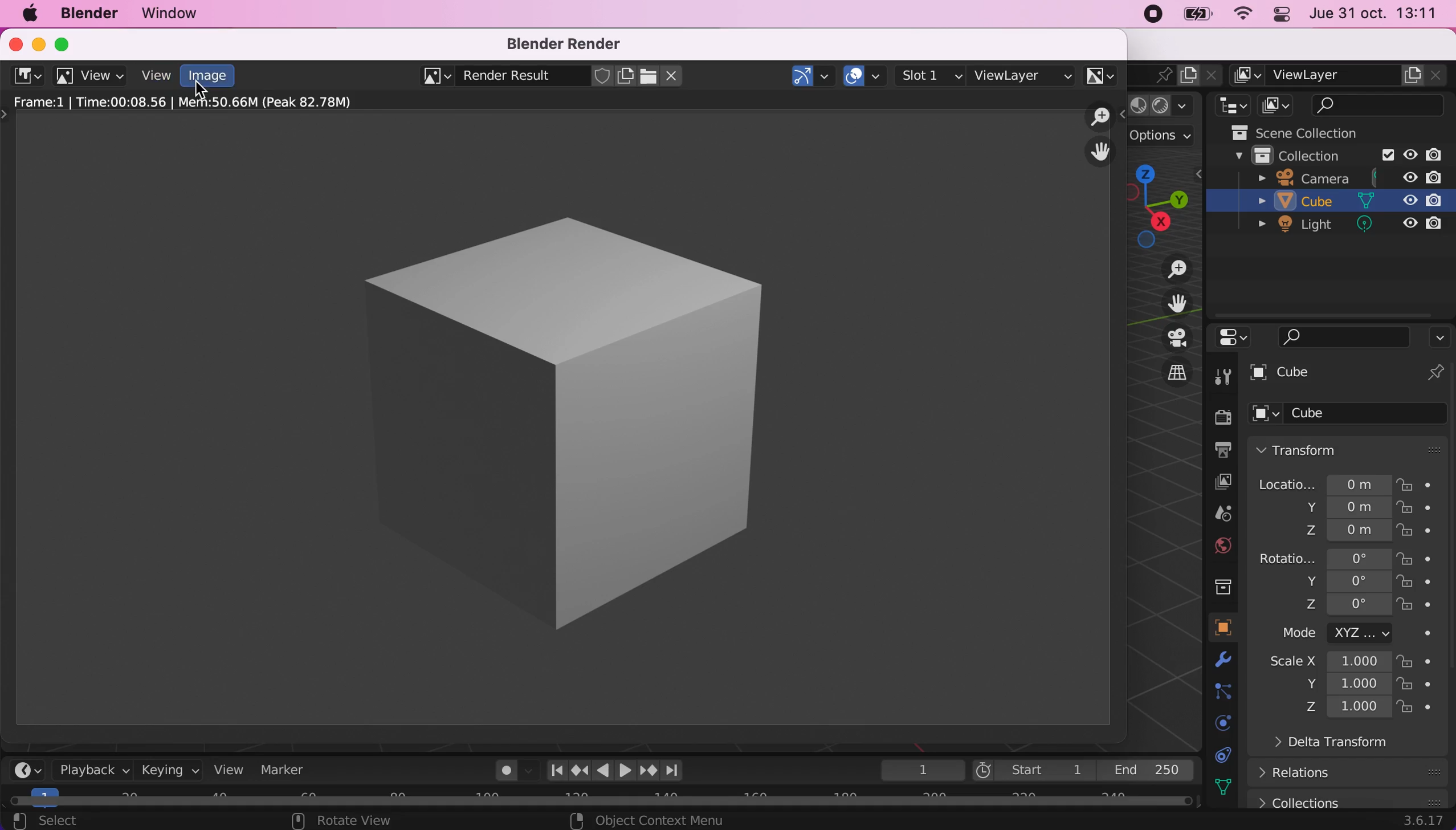 The width and height of the screenshot is (1456, 830). What do you see at coordinates (1380, 105) in the screenshot?
I see `search` at bounding box center [1380, 105].